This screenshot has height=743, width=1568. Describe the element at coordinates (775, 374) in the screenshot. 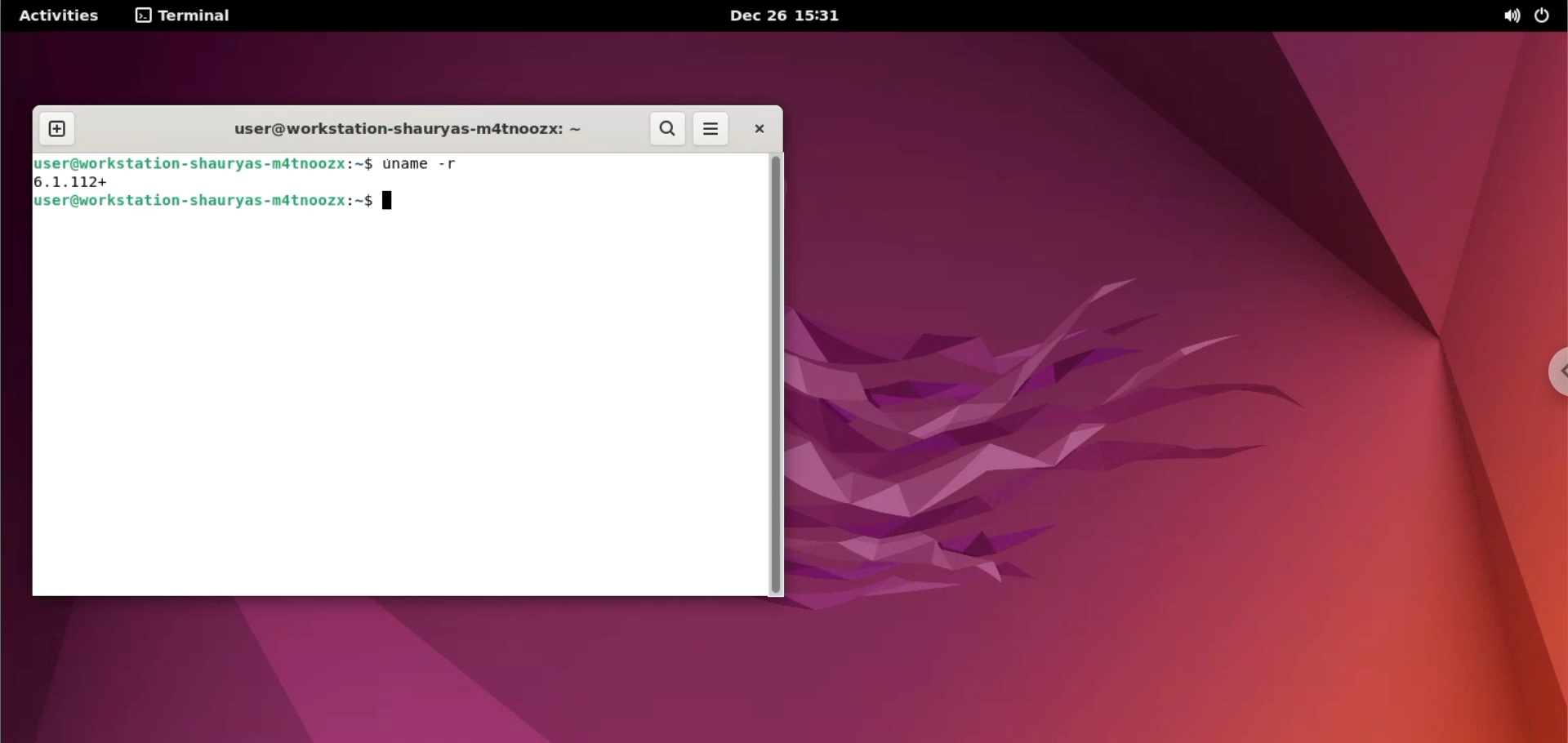

I see `scrollbar navigation` at that location.